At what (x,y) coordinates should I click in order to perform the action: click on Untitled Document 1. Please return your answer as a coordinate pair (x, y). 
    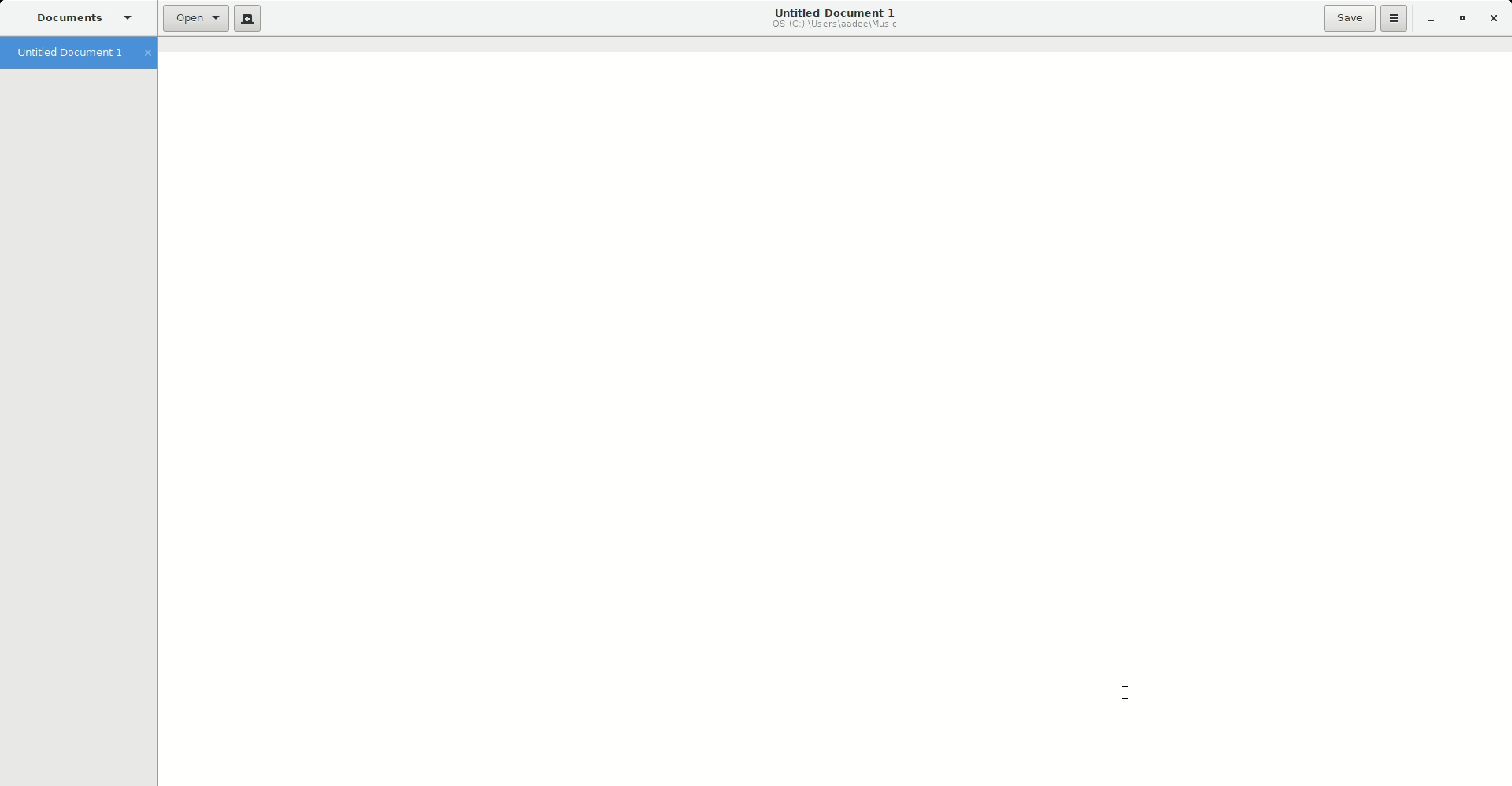
    Looking at the image, I should click on (835, 19).